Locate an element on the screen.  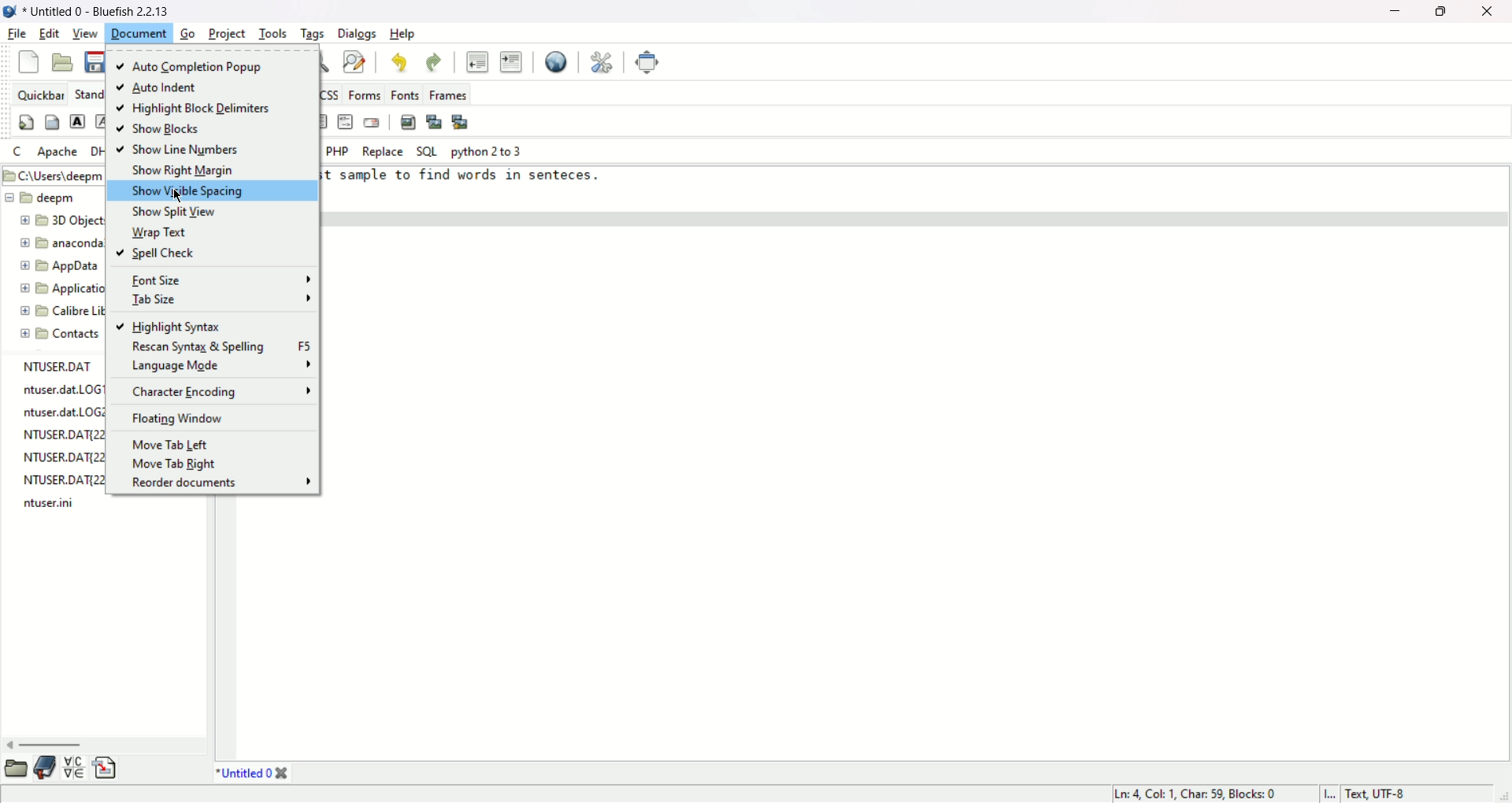
emphasis is located at coordinates (99, 122).